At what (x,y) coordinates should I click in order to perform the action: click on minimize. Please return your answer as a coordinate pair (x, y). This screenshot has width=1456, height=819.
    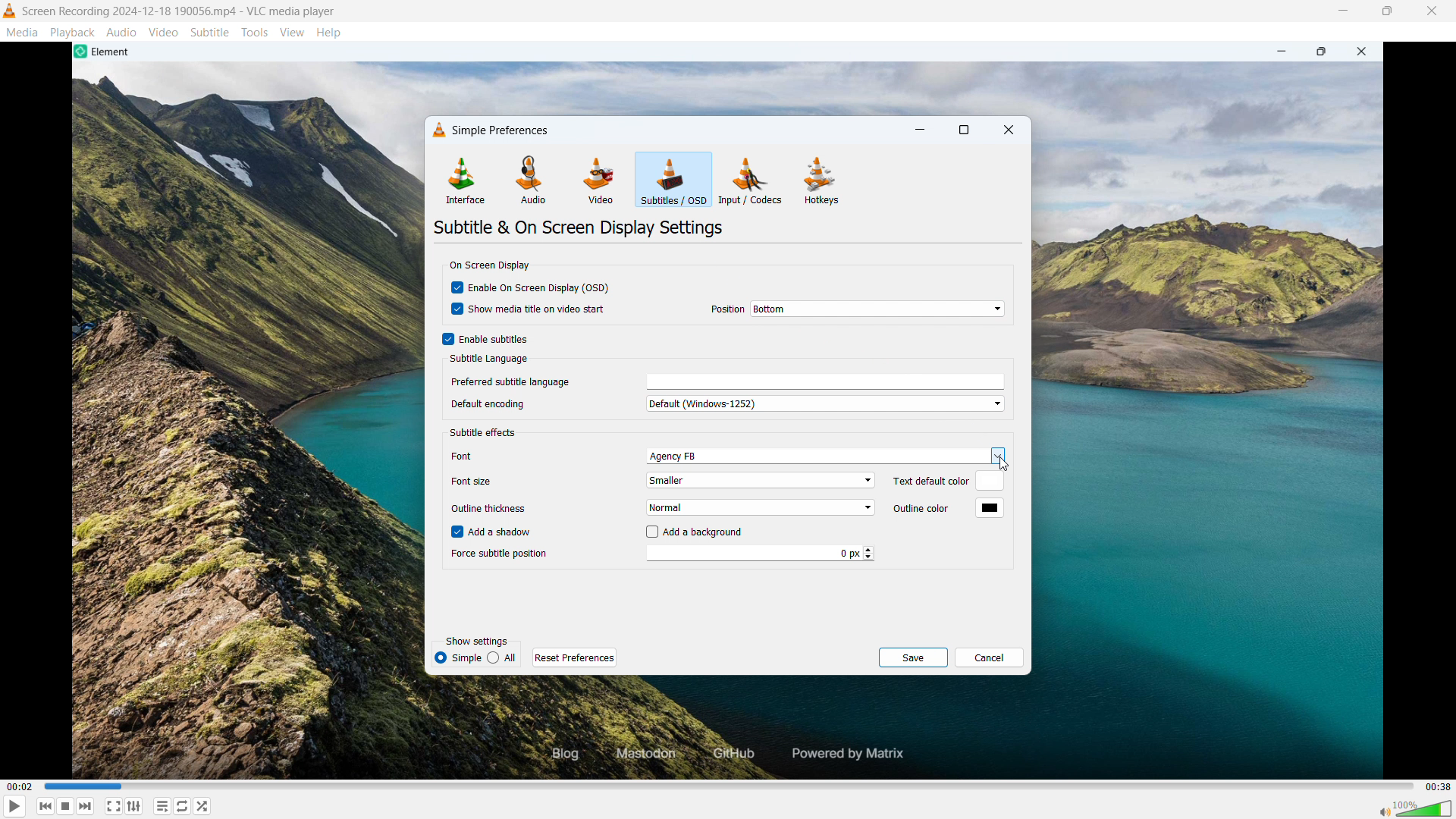
    Looking at the image, I should click on (1341, 11).